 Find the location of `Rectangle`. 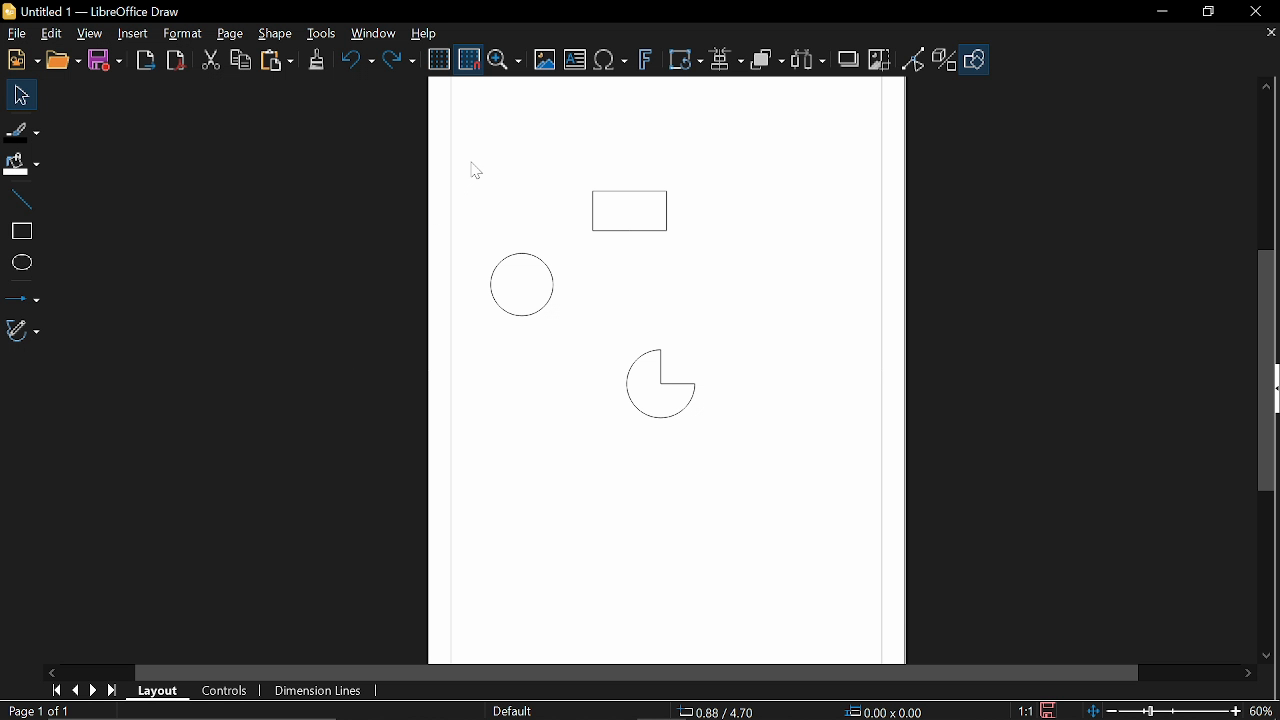

Rectangle is located at coordinates (632, 206).